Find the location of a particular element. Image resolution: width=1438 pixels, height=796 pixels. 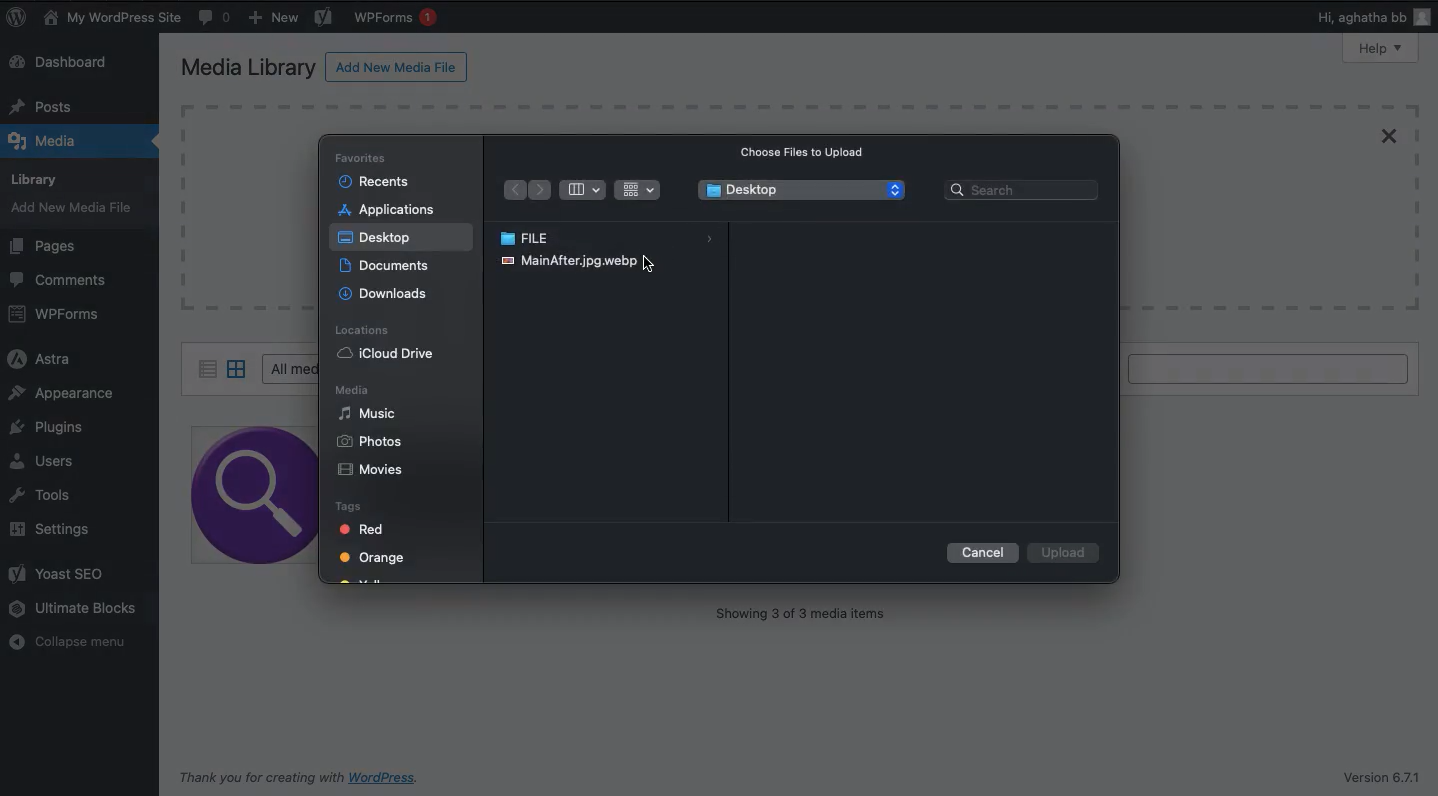

Posts is located at coordinates (47, 102).